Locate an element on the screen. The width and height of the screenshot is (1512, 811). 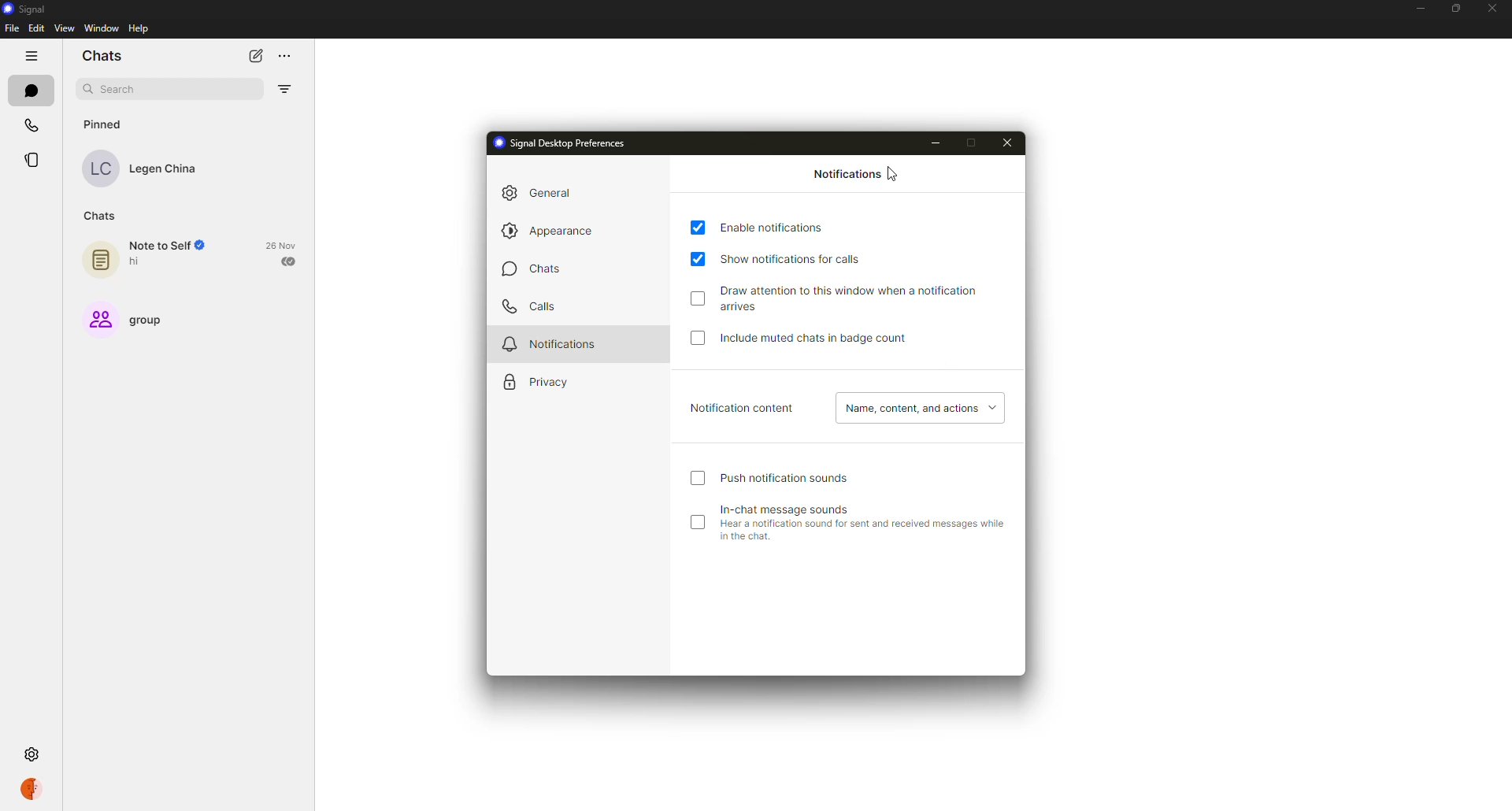
group is located at coordinates (128, 317).